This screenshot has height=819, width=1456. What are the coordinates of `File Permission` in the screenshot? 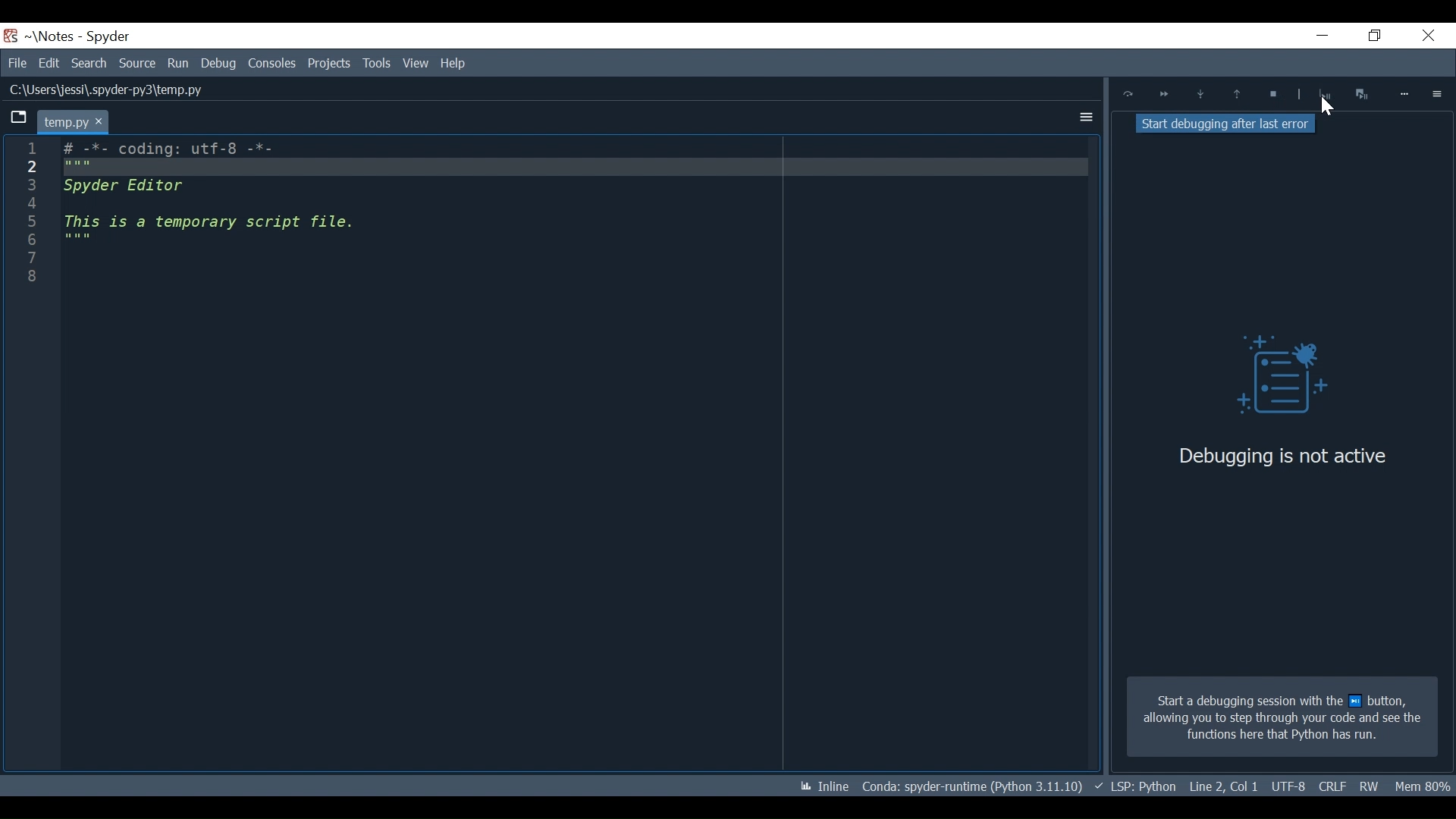 It's located at (1370, 786).